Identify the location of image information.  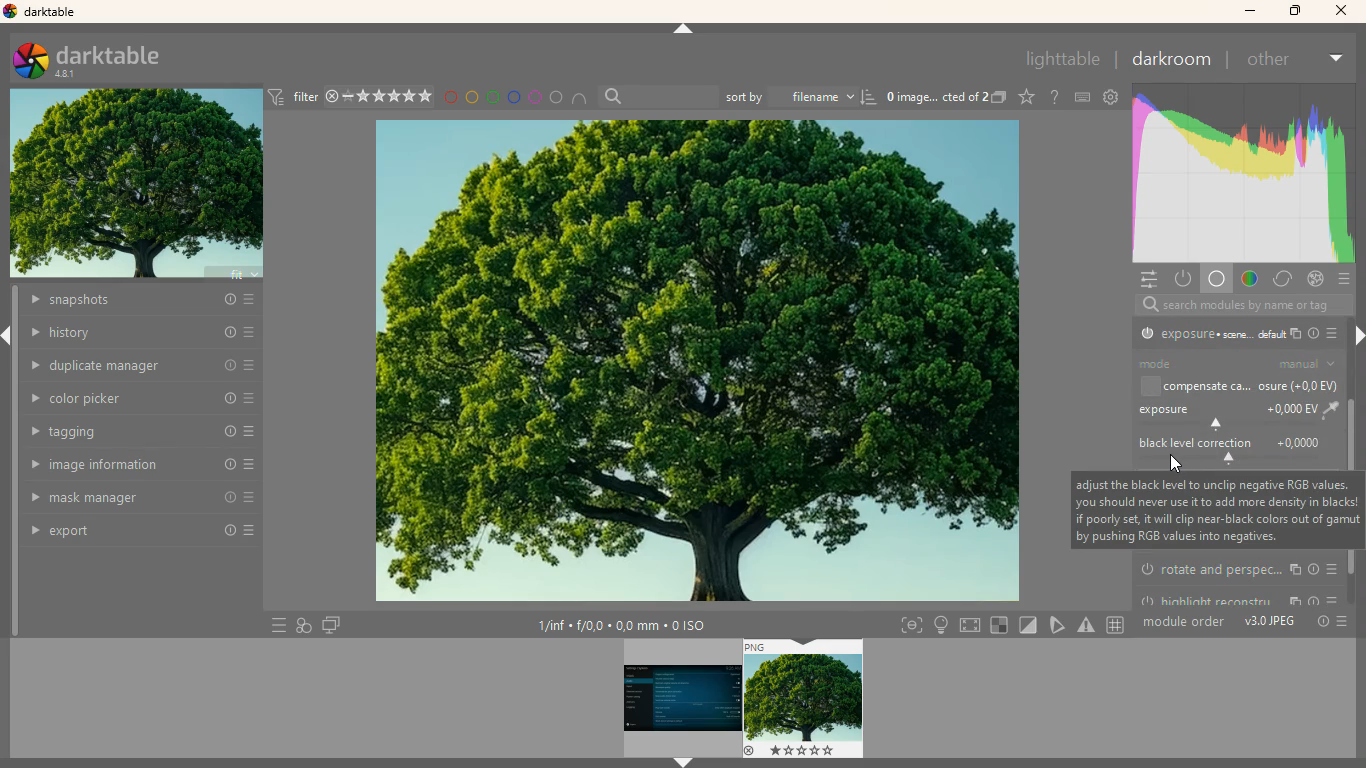
(626, 625).